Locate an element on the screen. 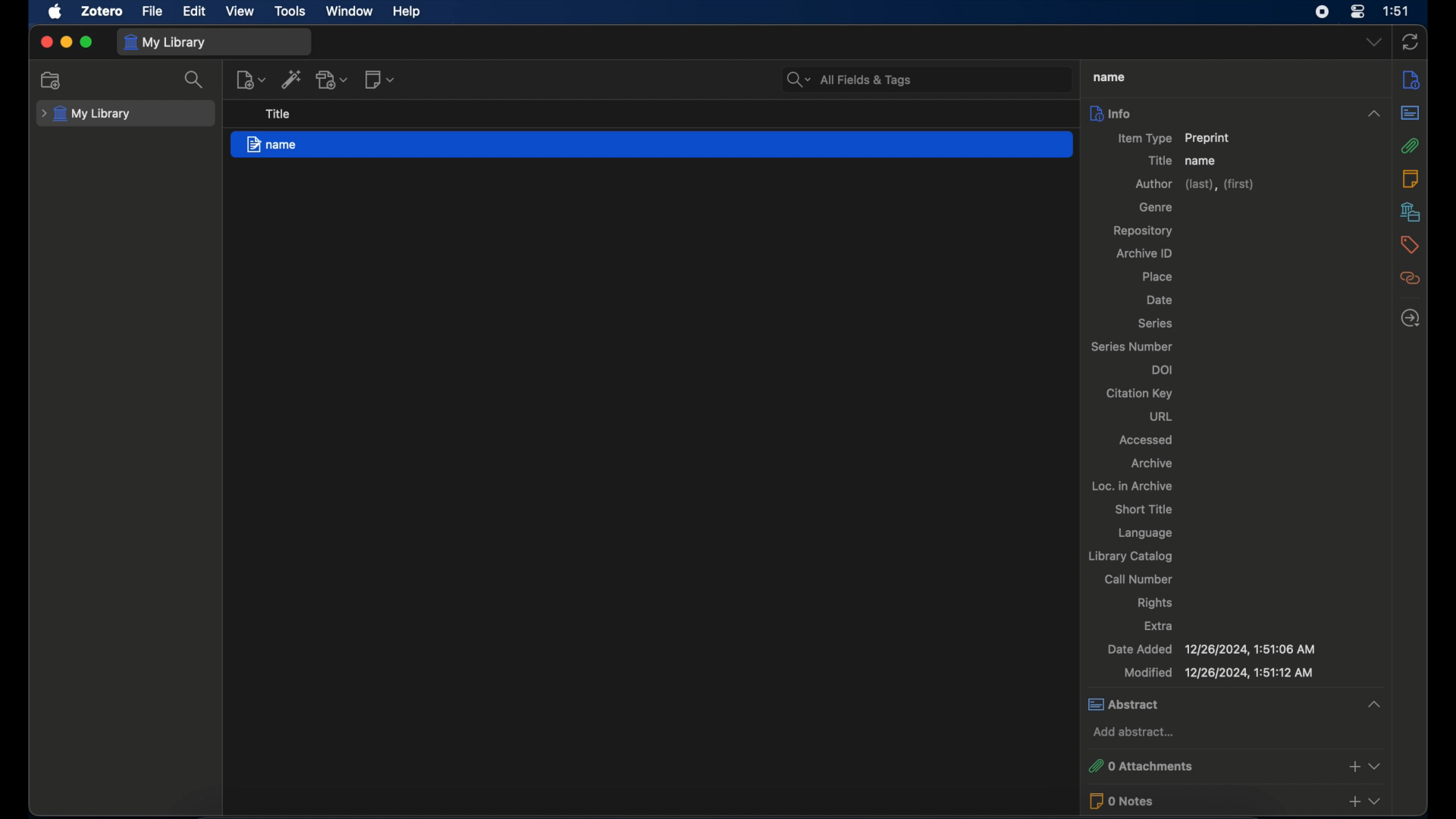 The width and height of the screenshot is (1456, 819). info is located at coordinates (1411, 81).